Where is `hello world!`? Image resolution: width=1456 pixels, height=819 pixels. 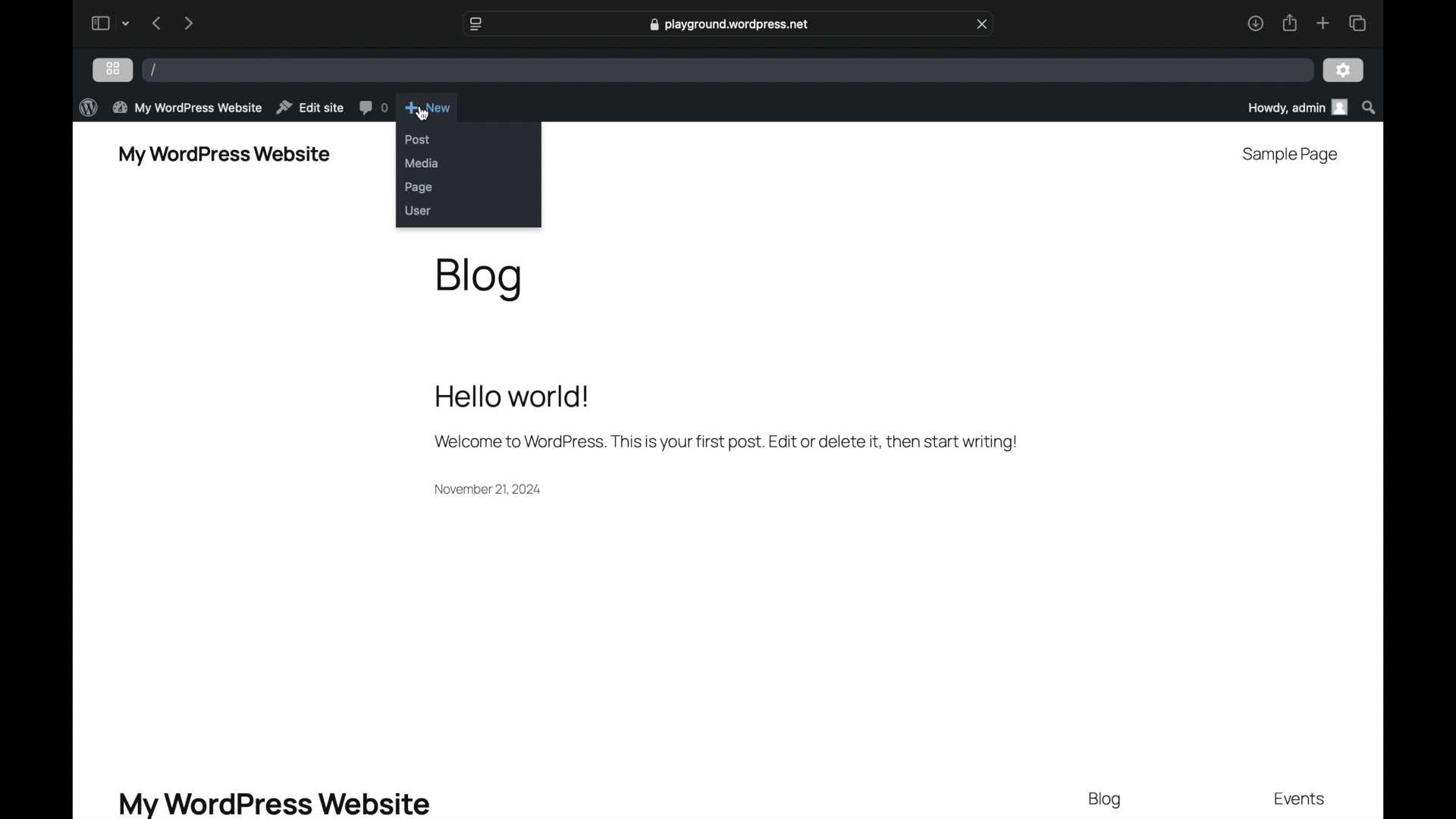
hello world! is located at coordinates (513, 395).